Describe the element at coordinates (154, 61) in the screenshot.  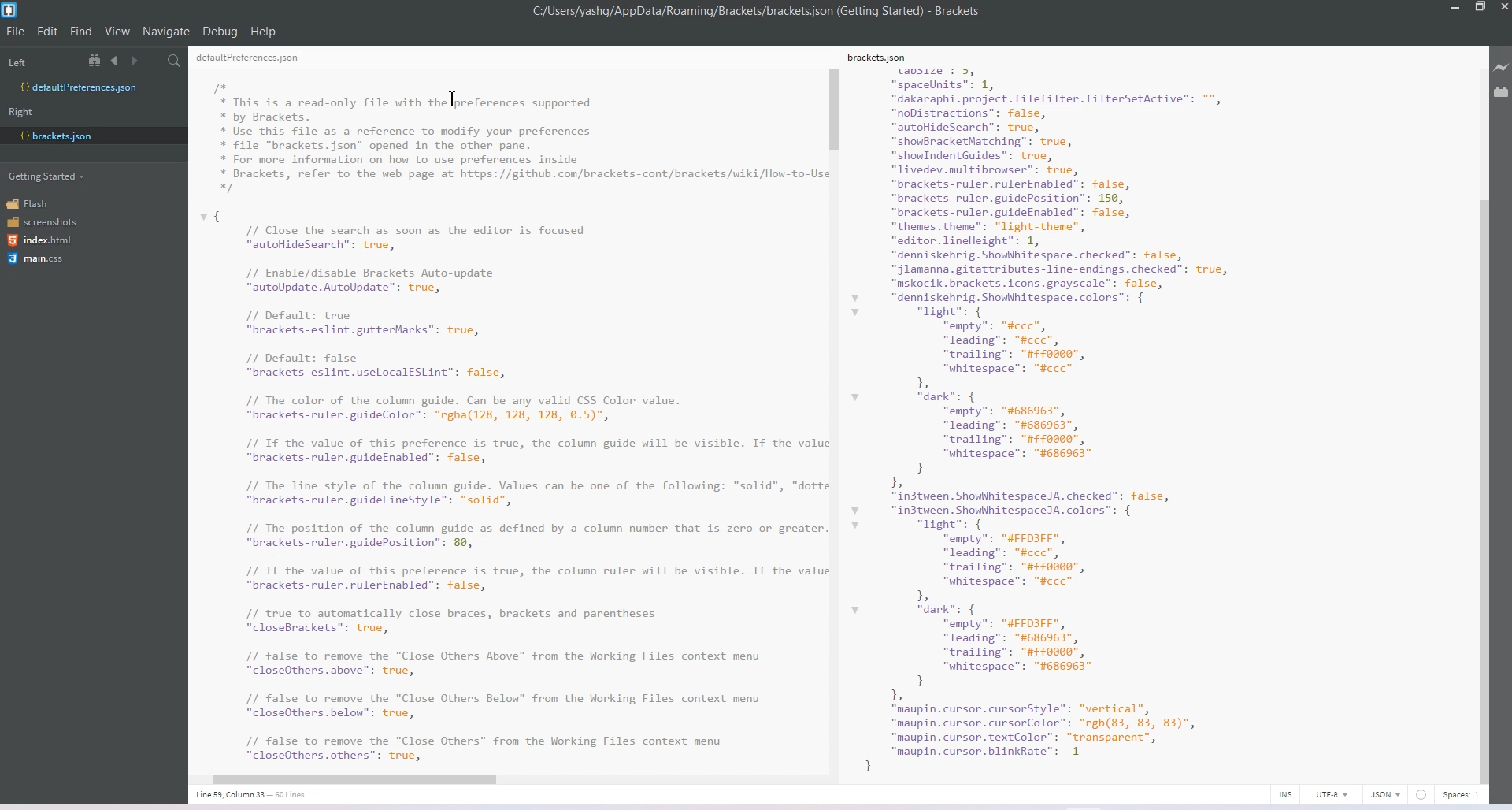
I see `Split editor vertically and Horizontally` at that location.